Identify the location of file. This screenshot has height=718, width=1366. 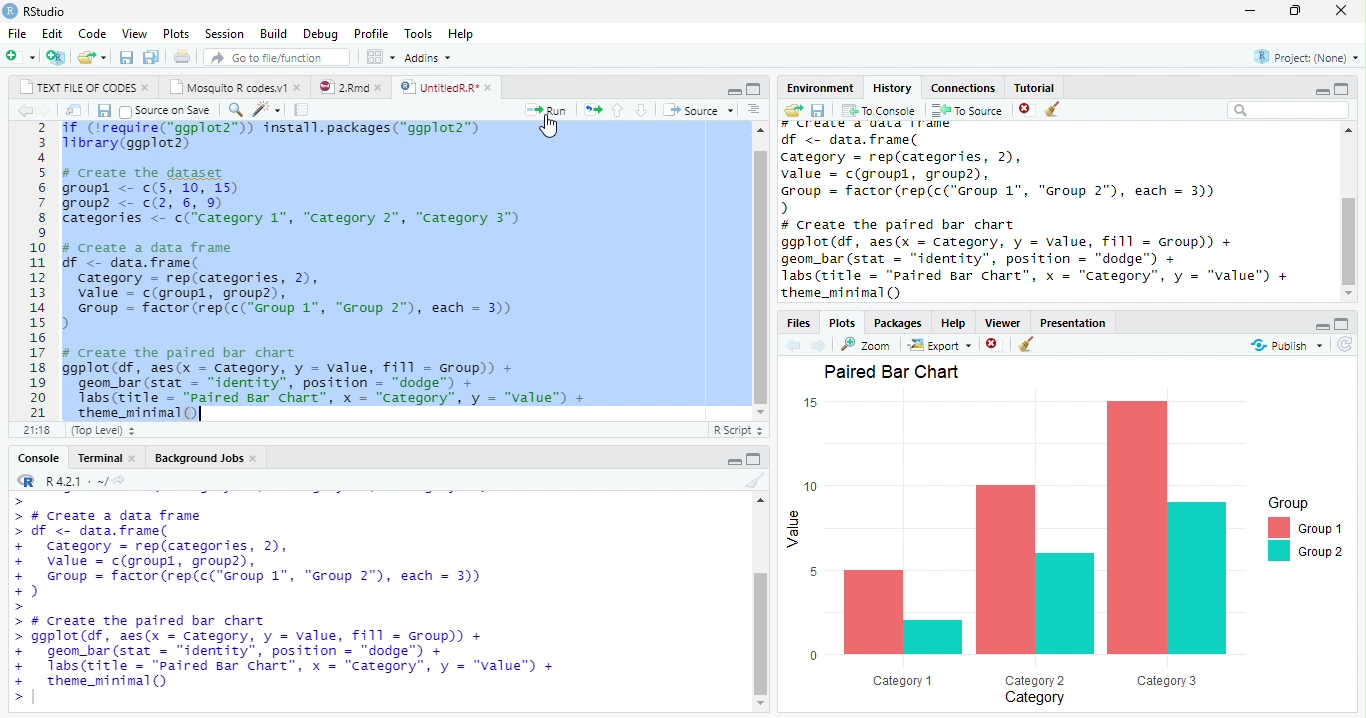
(15, 32).